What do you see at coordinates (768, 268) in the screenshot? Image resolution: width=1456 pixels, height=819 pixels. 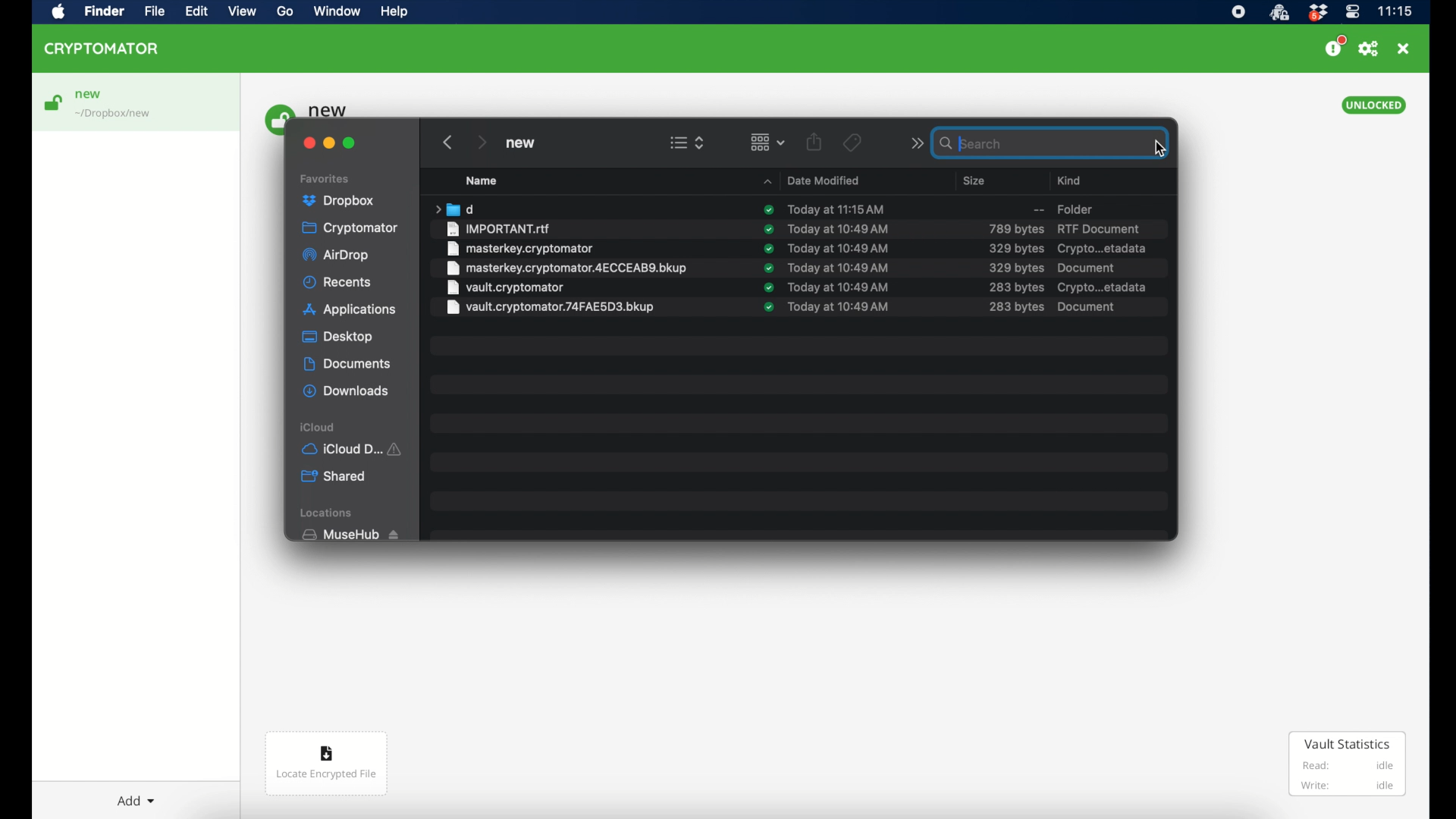 I see `sync` at bounding box center [768, 268].